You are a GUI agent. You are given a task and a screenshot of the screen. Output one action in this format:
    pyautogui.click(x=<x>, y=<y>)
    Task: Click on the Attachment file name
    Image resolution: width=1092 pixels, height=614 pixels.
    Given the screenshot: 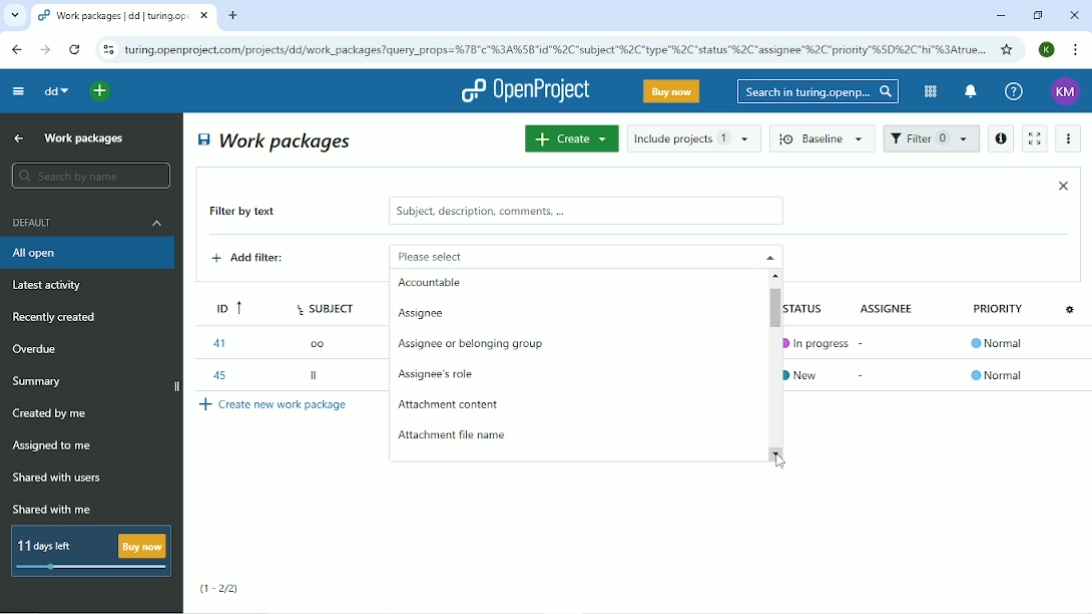 What is the action you would take?
    pyautogui.click(x=450, y=435)
    